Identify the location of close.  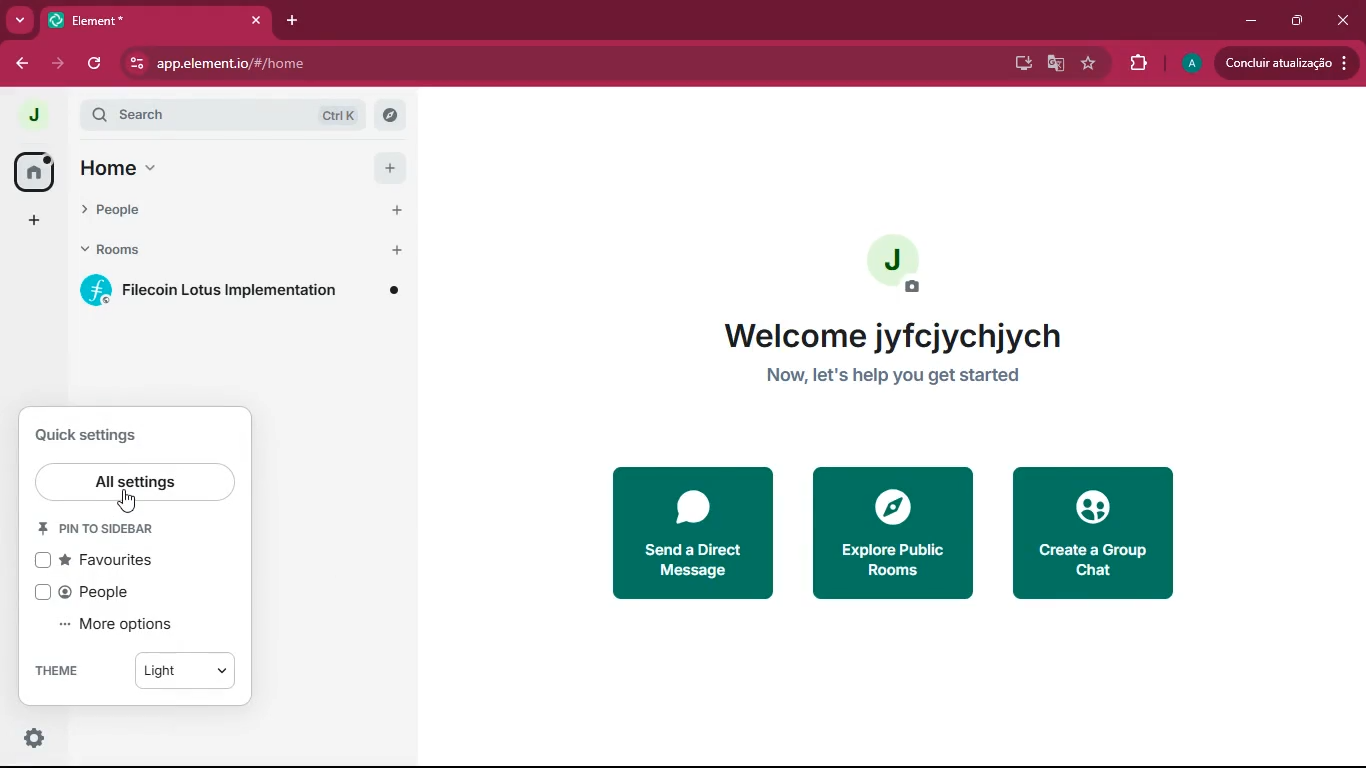
(258, 20).